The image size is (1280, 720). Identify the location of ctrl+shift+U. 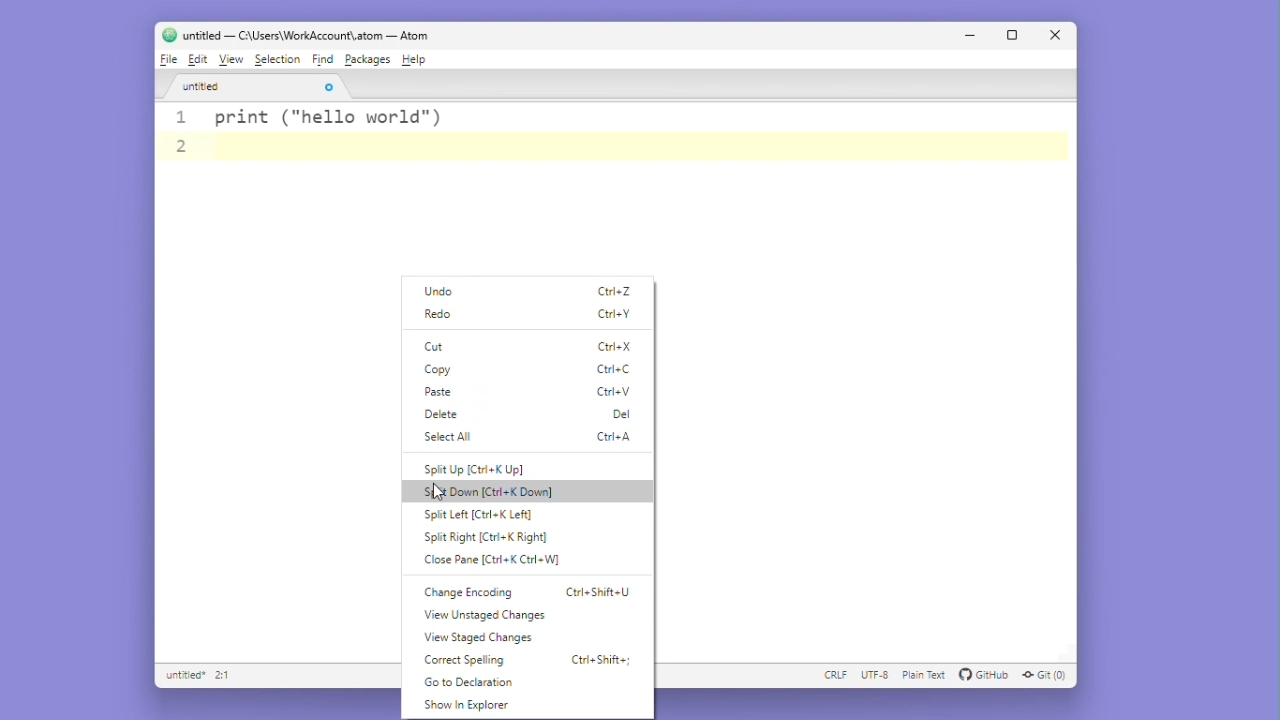
(604, 592).